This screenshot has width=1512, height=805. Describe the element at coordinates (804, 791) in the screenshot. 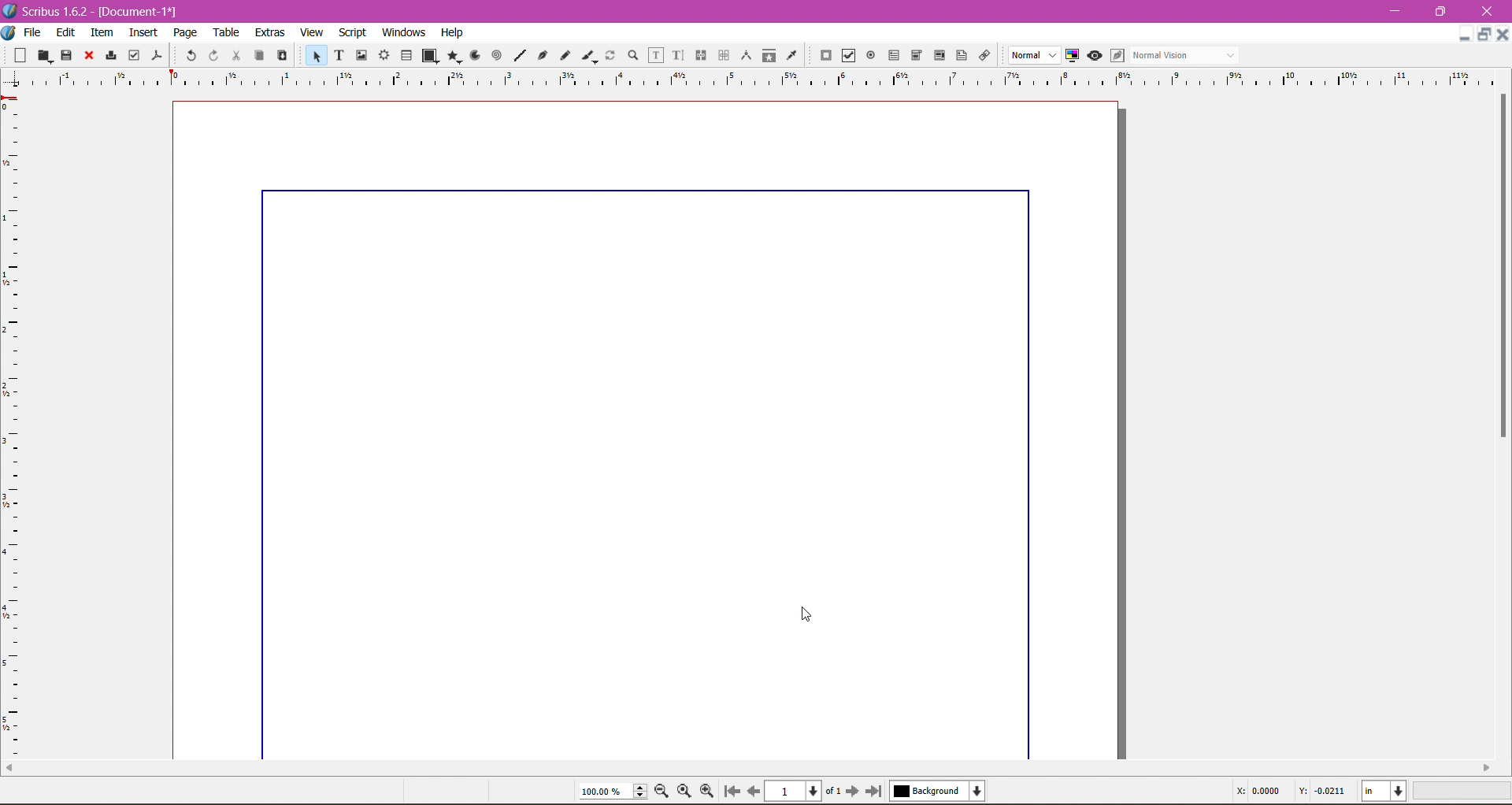

I see `Select the current page` at that location.